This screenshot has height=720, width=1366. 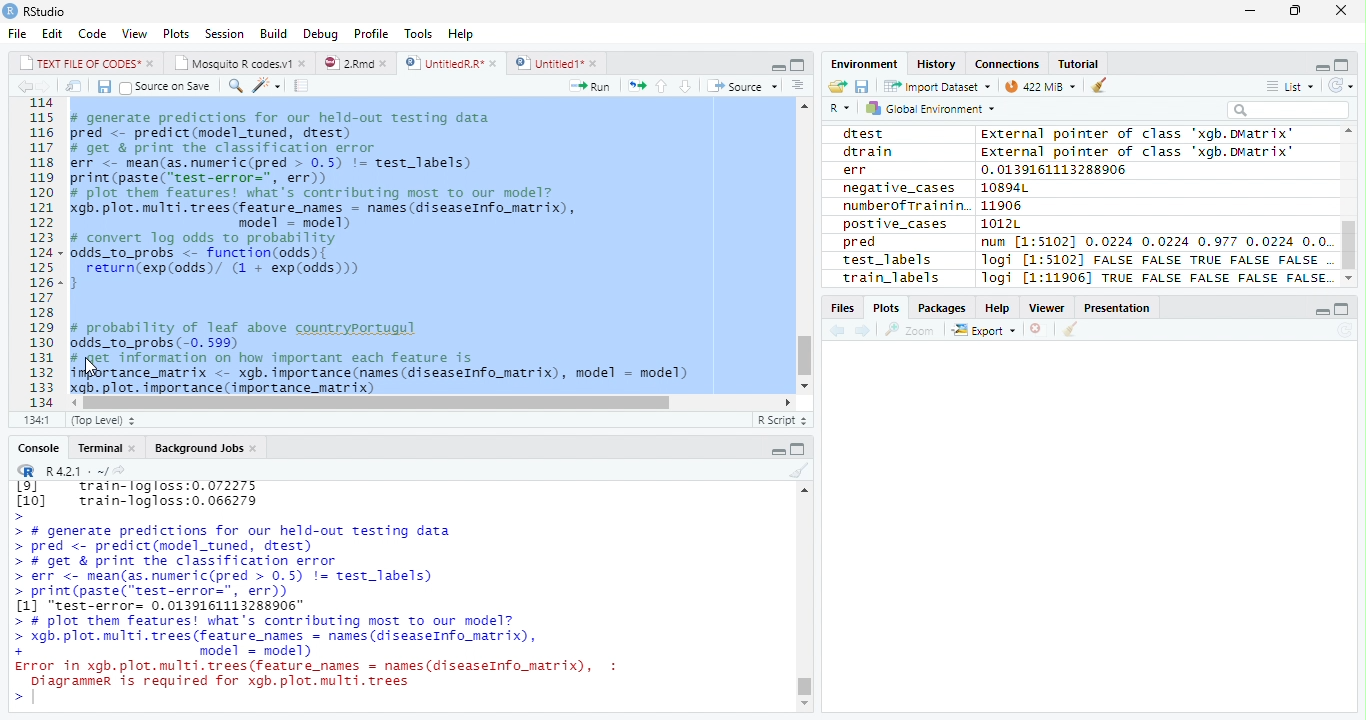 What do you see at coordinates (1345, 63) in the screenshot?
I see `Maximize` at bounding box center [1345, 63].